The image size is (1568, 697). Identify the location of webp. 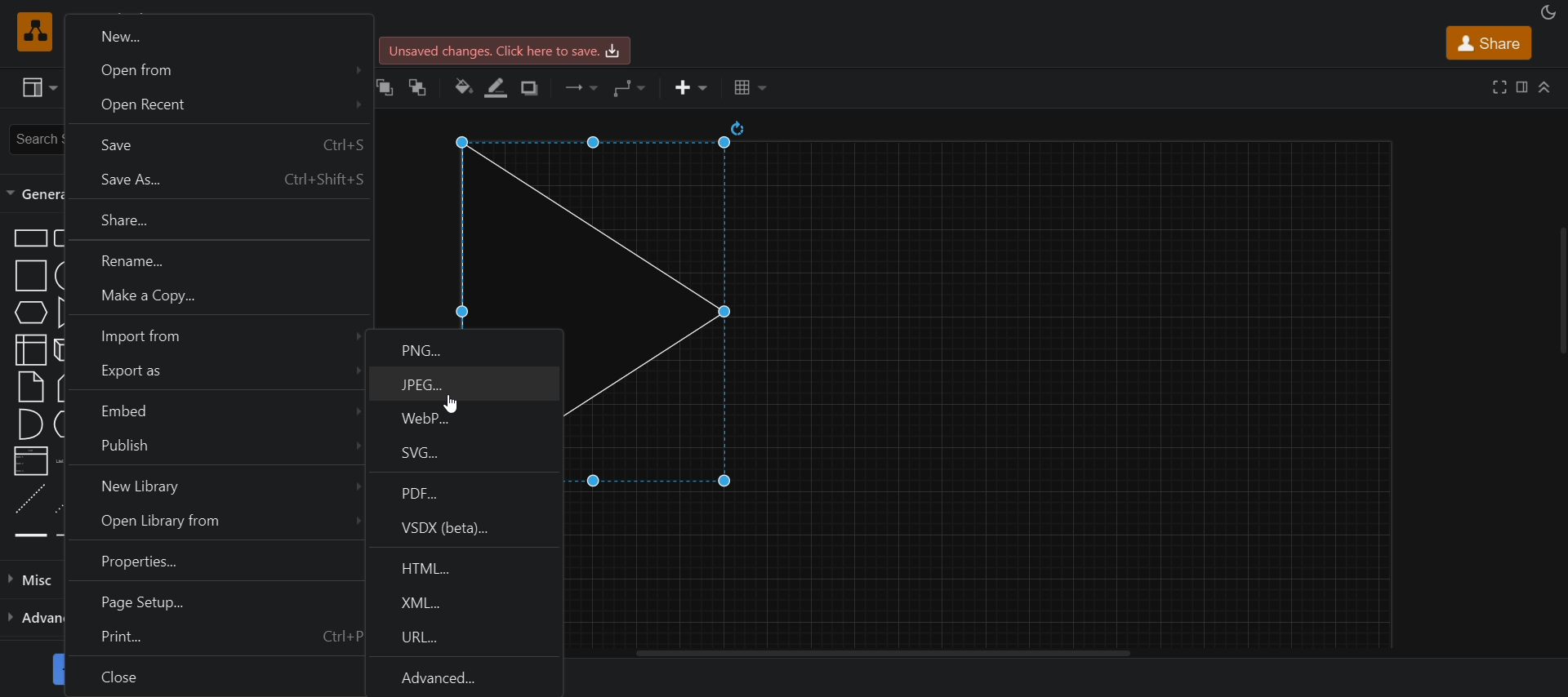
(464, 419).